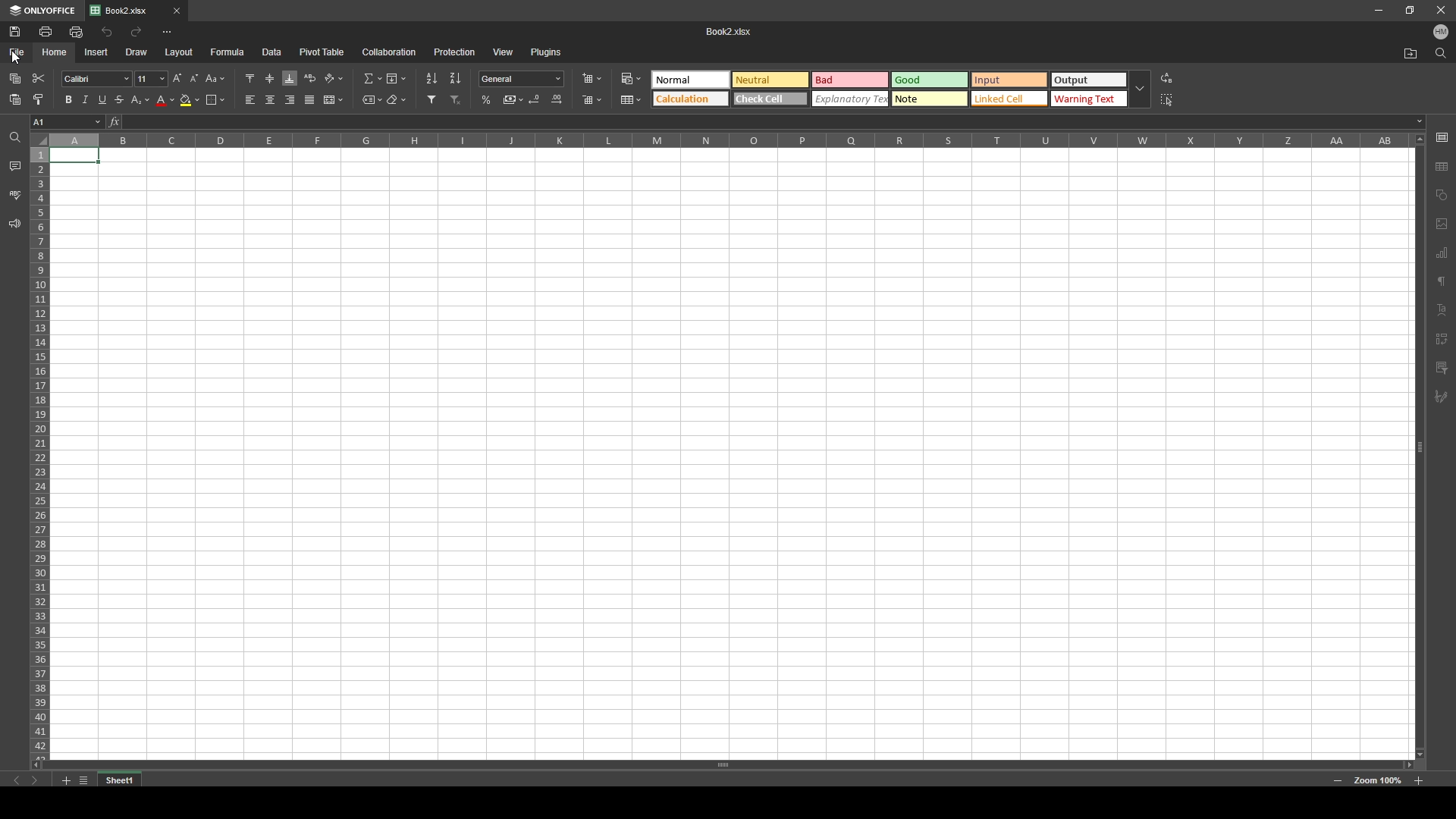 This screenshot has width=1456, height=819. What do you see at coordinates (175, 79) in the screenshot?
I see `increment case` at bounding box center [175, 79].